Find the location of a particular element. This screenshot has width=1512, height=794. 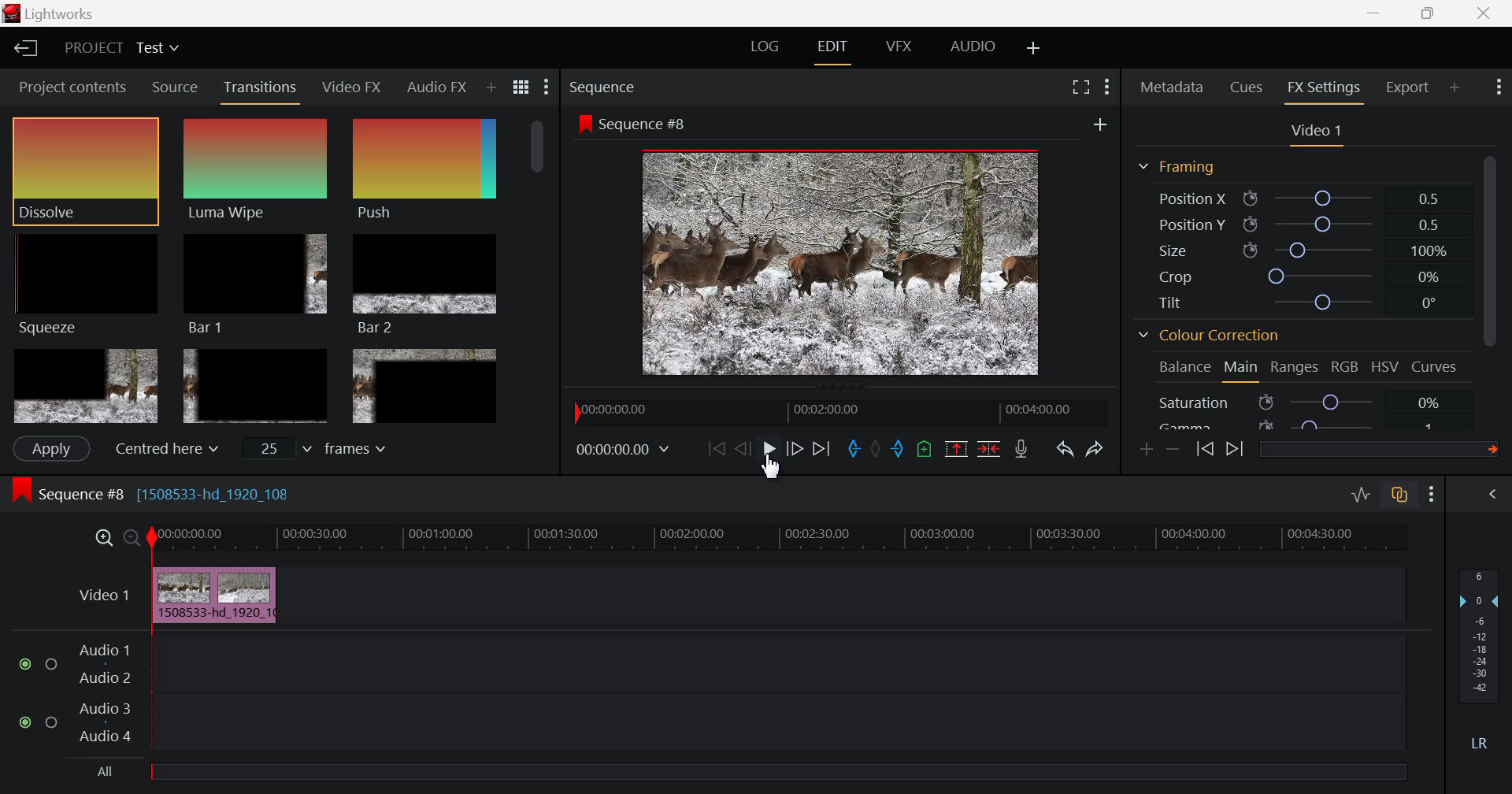

In mark is located at coordinates (851, 450).